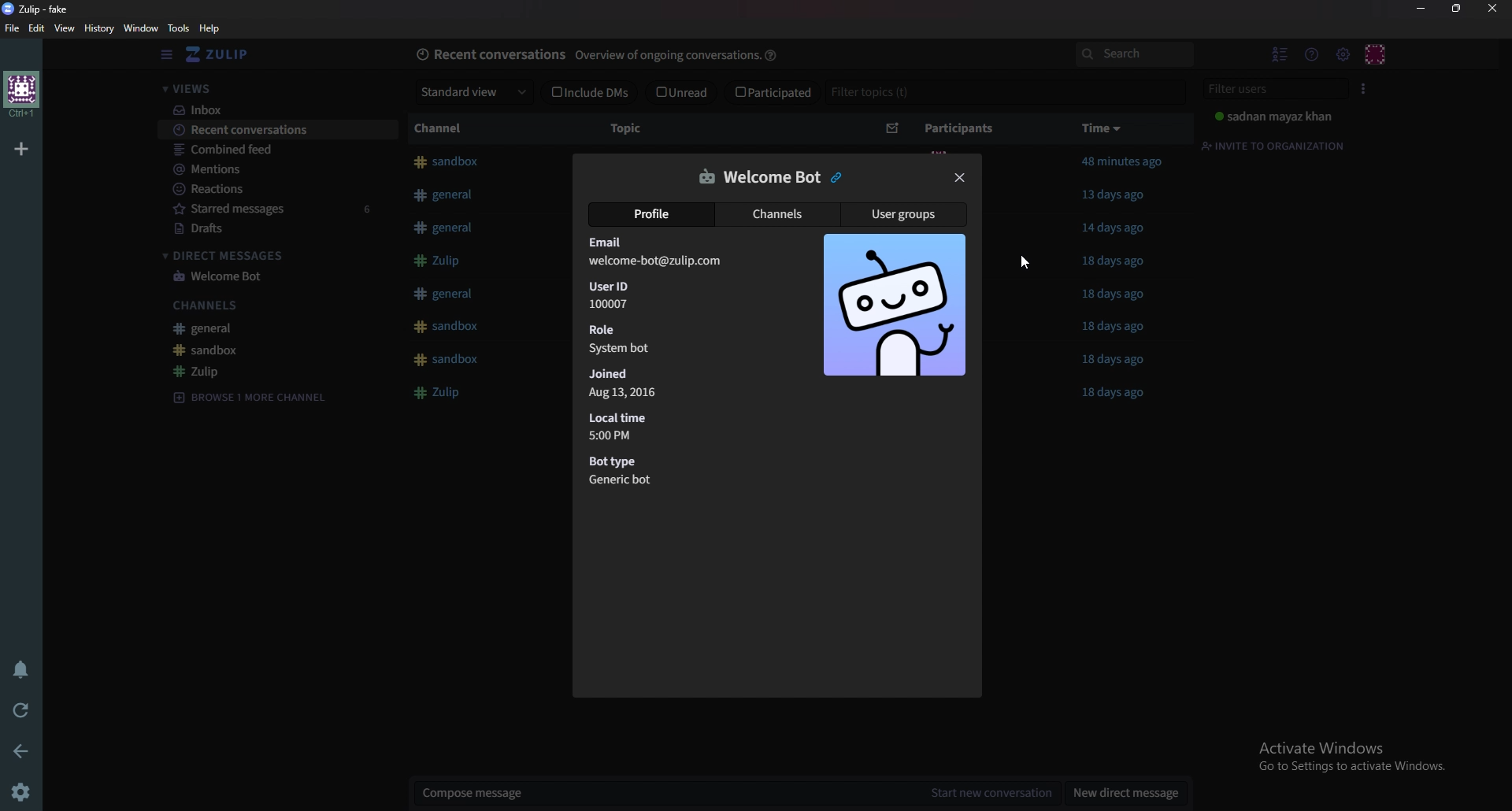 Image resolution: width=1512 pixels, height=811 pixels. I want to click on 14 days ago, so click(1115, 228).